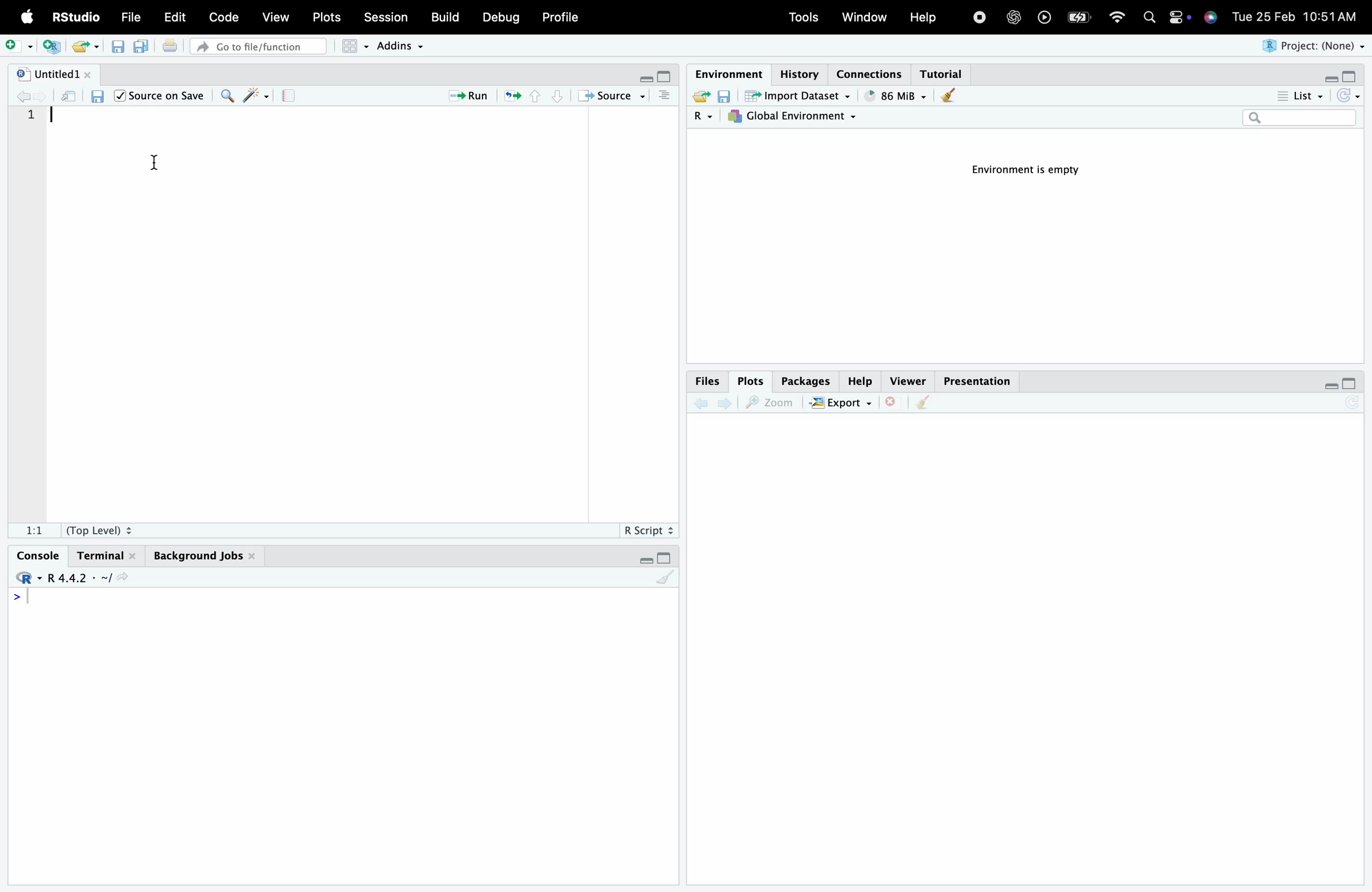  What do you see at coordinates (895, 96) in the screenshot?
I see `" 86 MiB` at bounding box center [895, 96].